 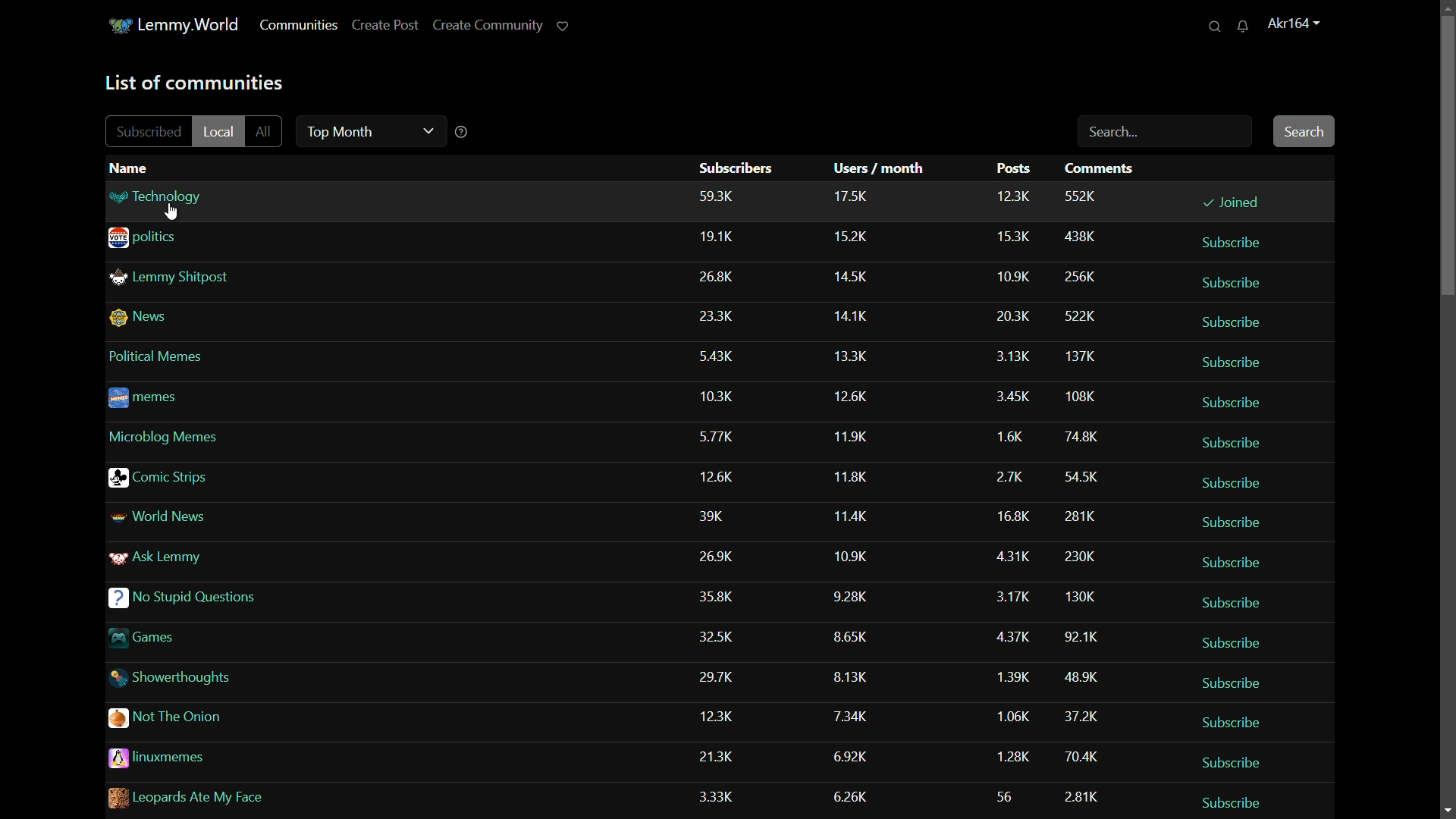 I want to click on subscribe/unsubscribe, so click(x=1239, y=682).